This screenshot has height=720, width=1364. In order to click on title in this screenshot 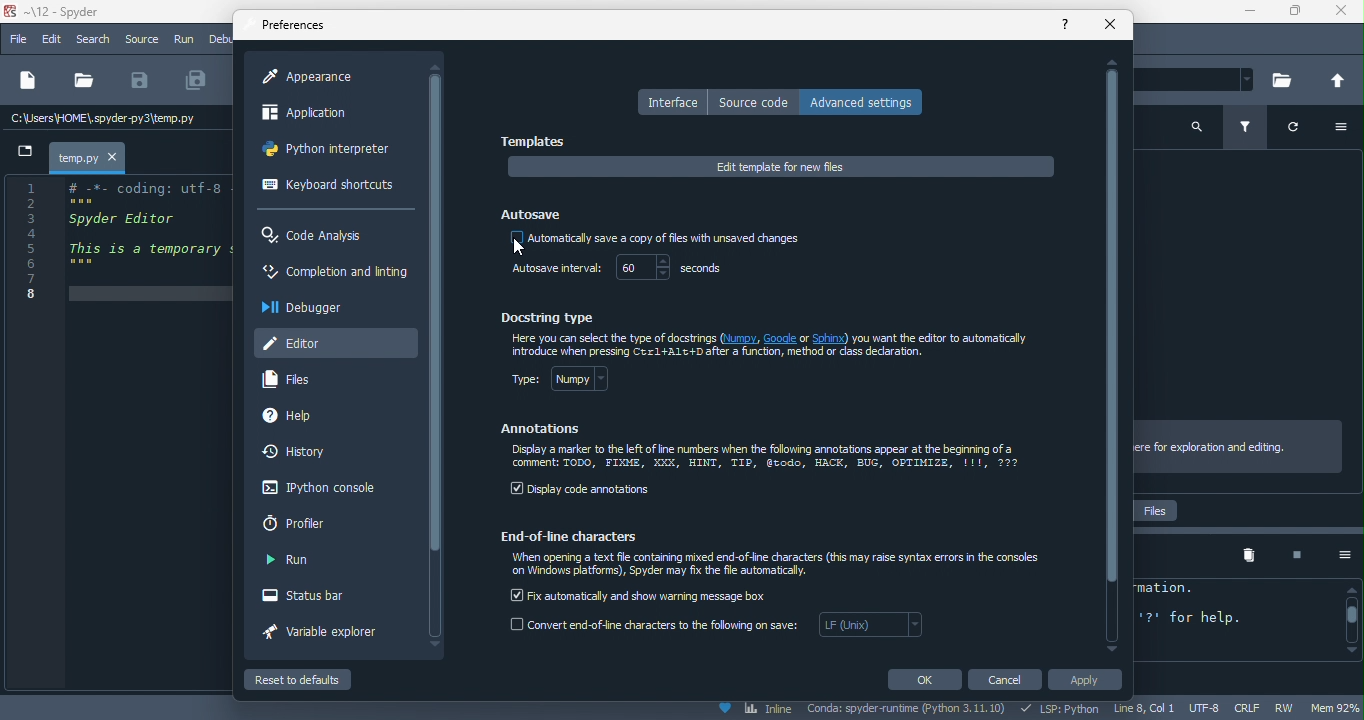, I will do `click(62, 13)`.